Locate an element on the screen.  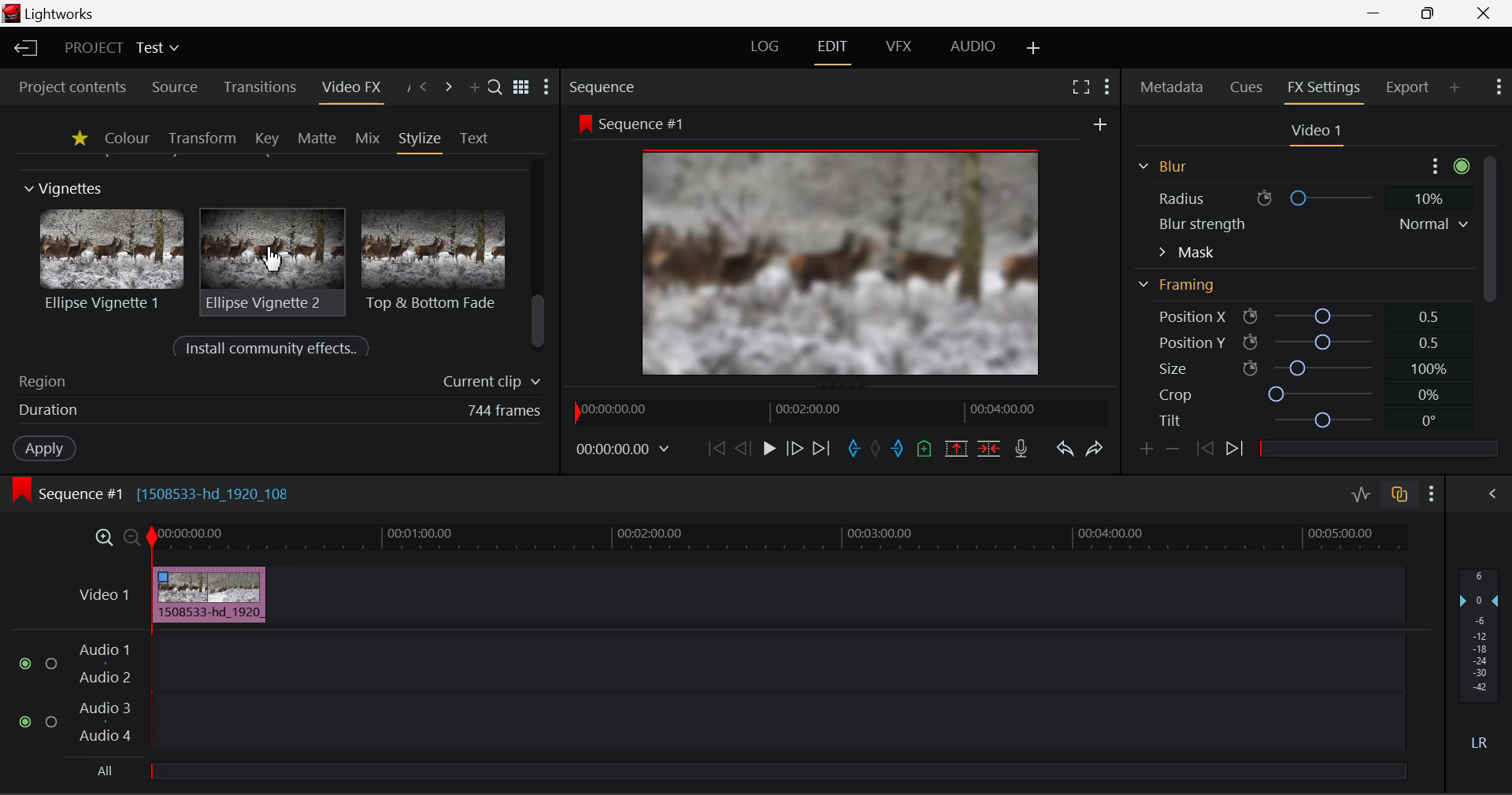
Redo is located at coordinates (1092, 447).